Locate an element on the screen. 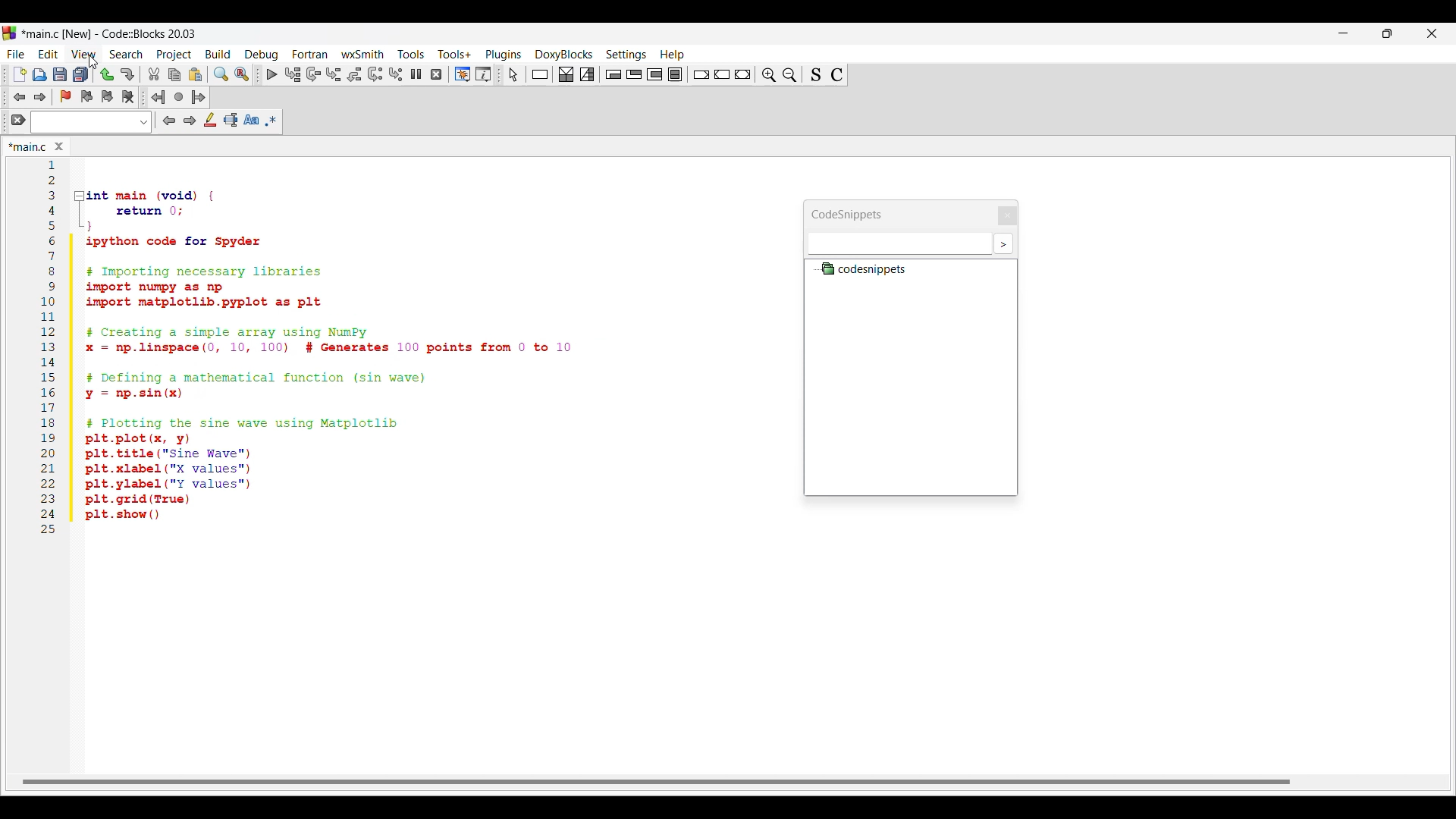 The height and width of the screenshot is (819, 1456). Selected text is located at coordinates (231, 120).